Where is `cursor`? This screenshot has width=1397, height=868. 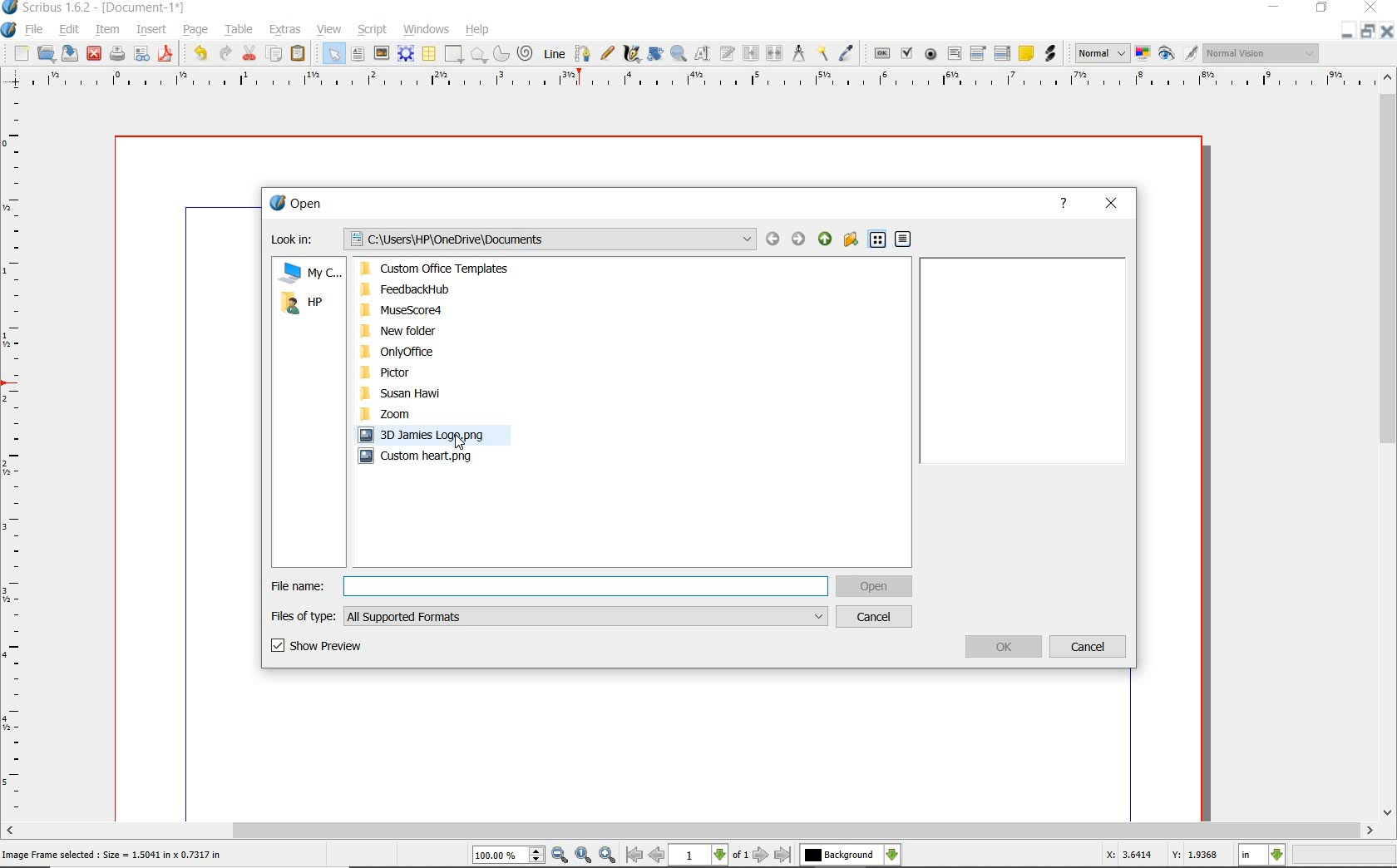
cursor is located at coordinates (459, 442).